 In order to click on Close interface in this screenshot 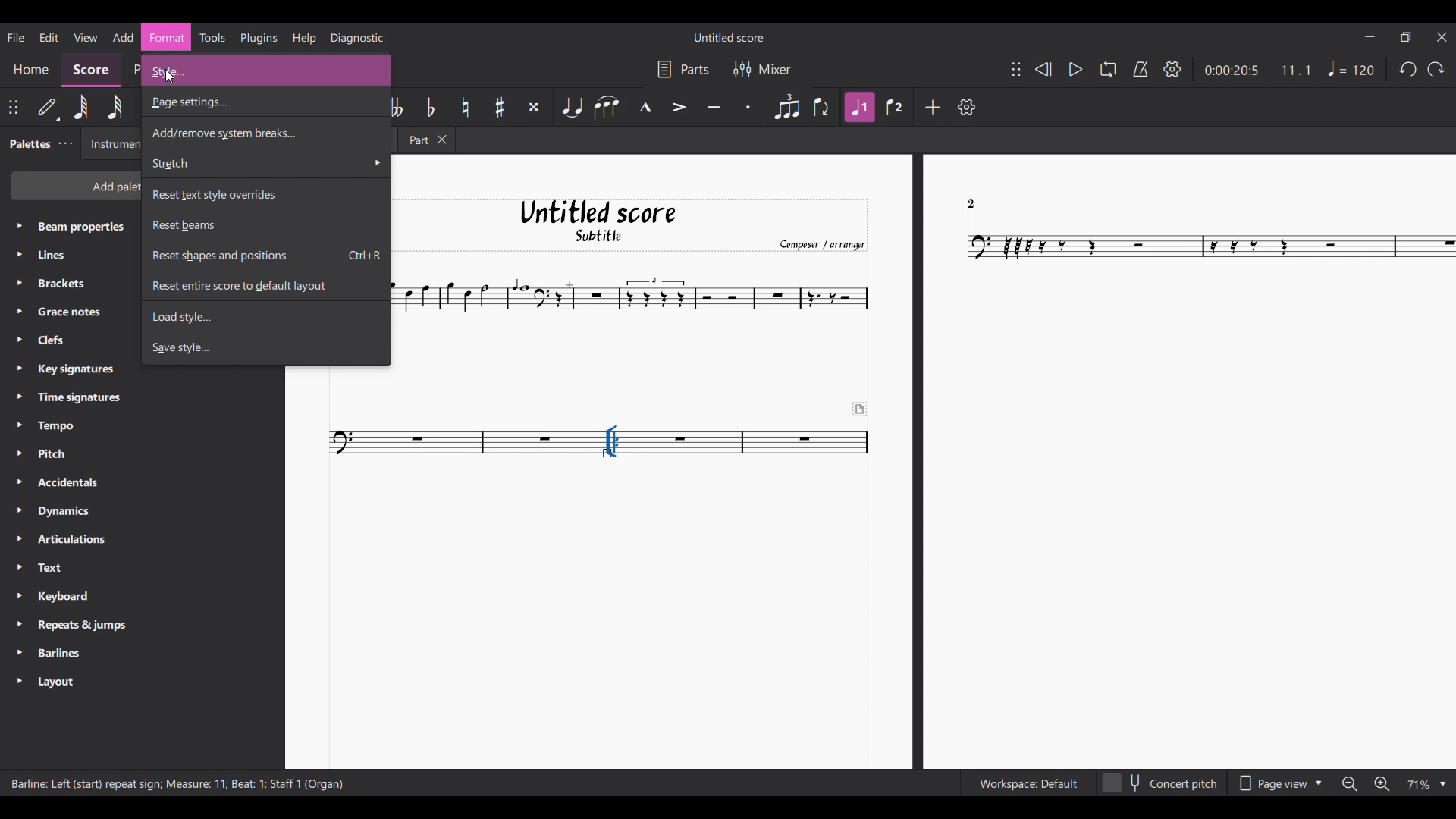, I will do `click(1442, 36)`.